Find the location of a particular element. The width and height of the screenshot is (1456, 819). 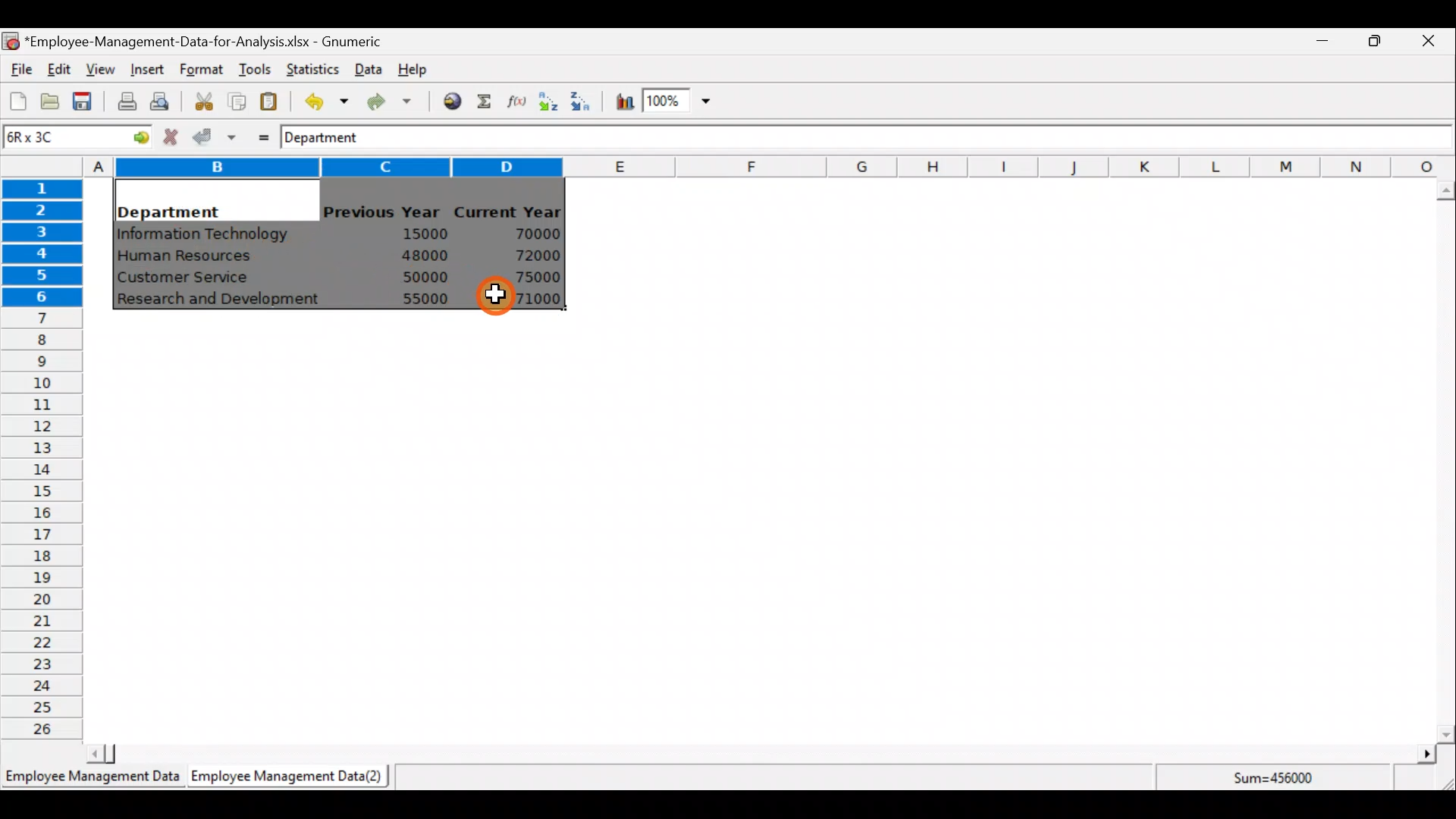

Save the current workbook is located at coordinates (87, 104).